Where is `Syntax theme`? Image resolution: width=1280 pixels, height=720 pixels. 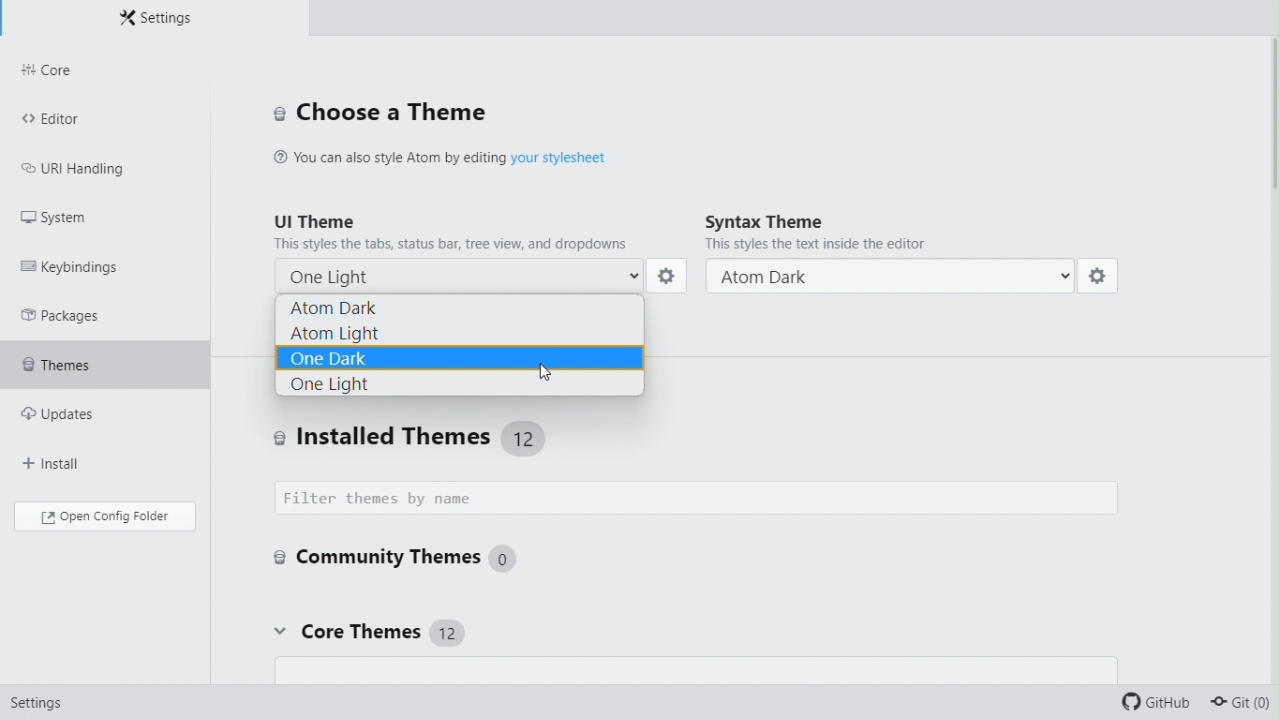
Syntax theme is located at coordinates (878, 235).